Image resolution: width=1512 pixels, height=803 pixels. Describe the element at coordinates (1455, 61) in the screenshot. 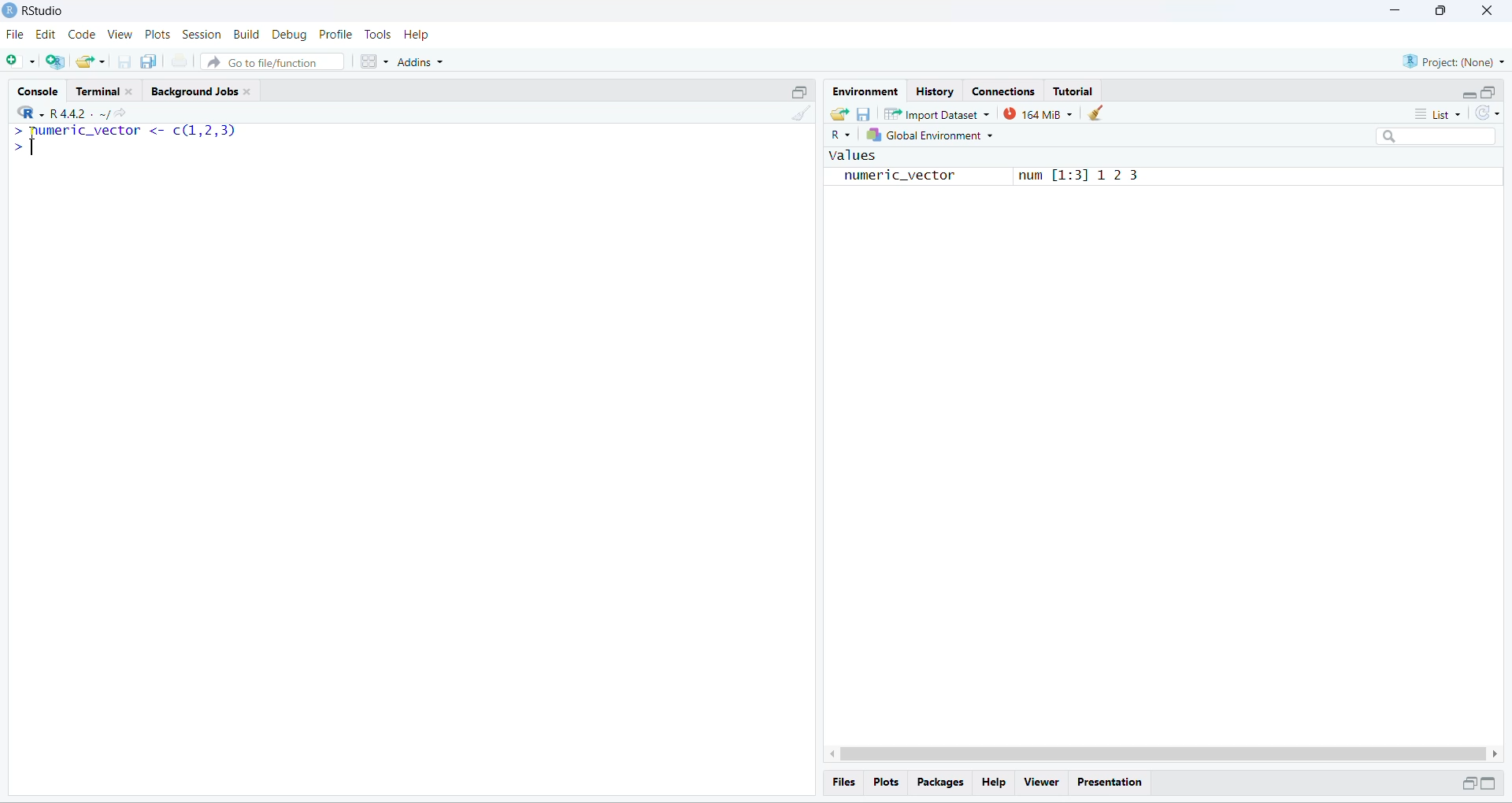

I see `Project: (None)` at that location.